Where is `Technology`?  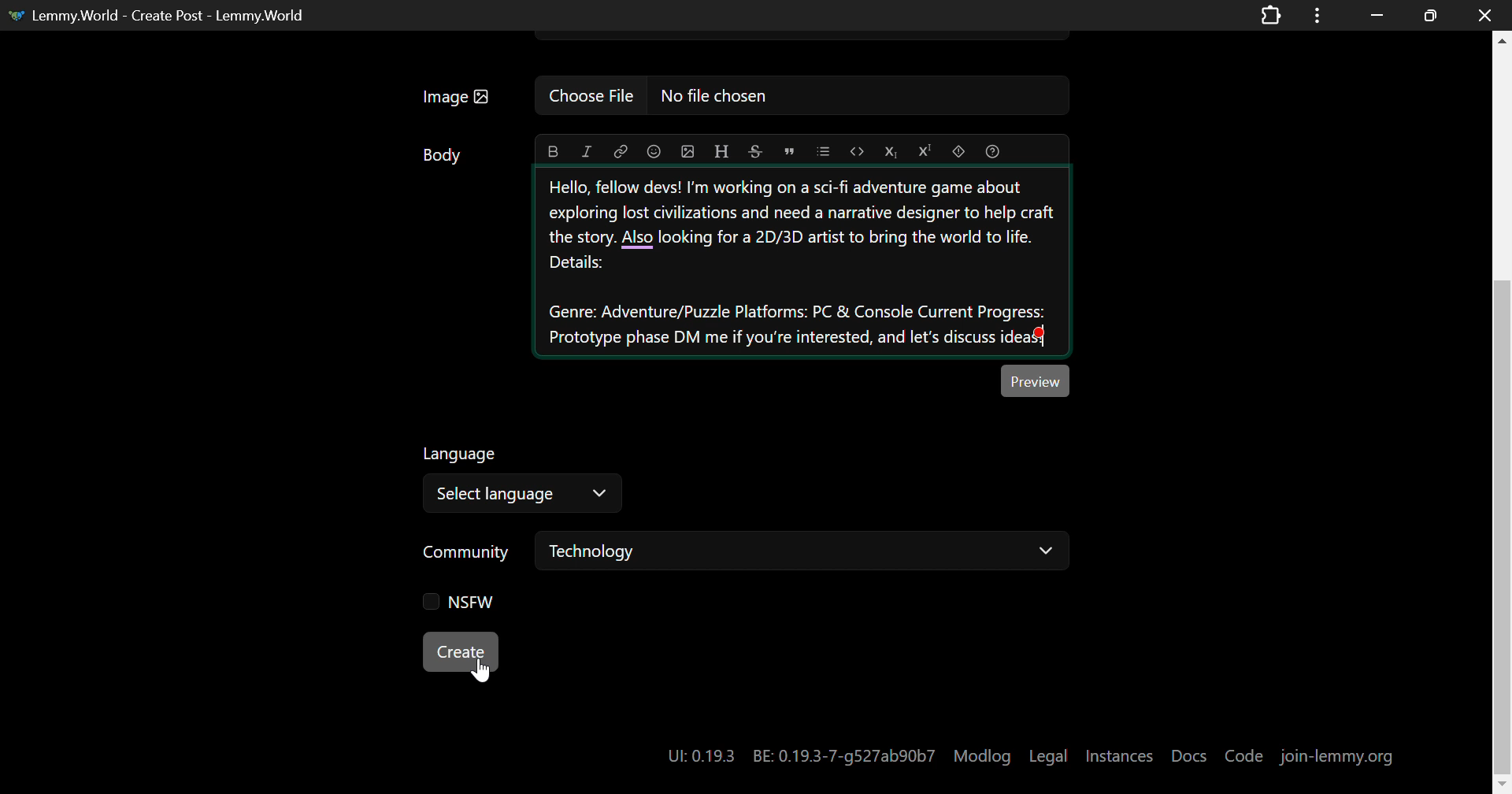
Technology is located at coordinates (805, 552).